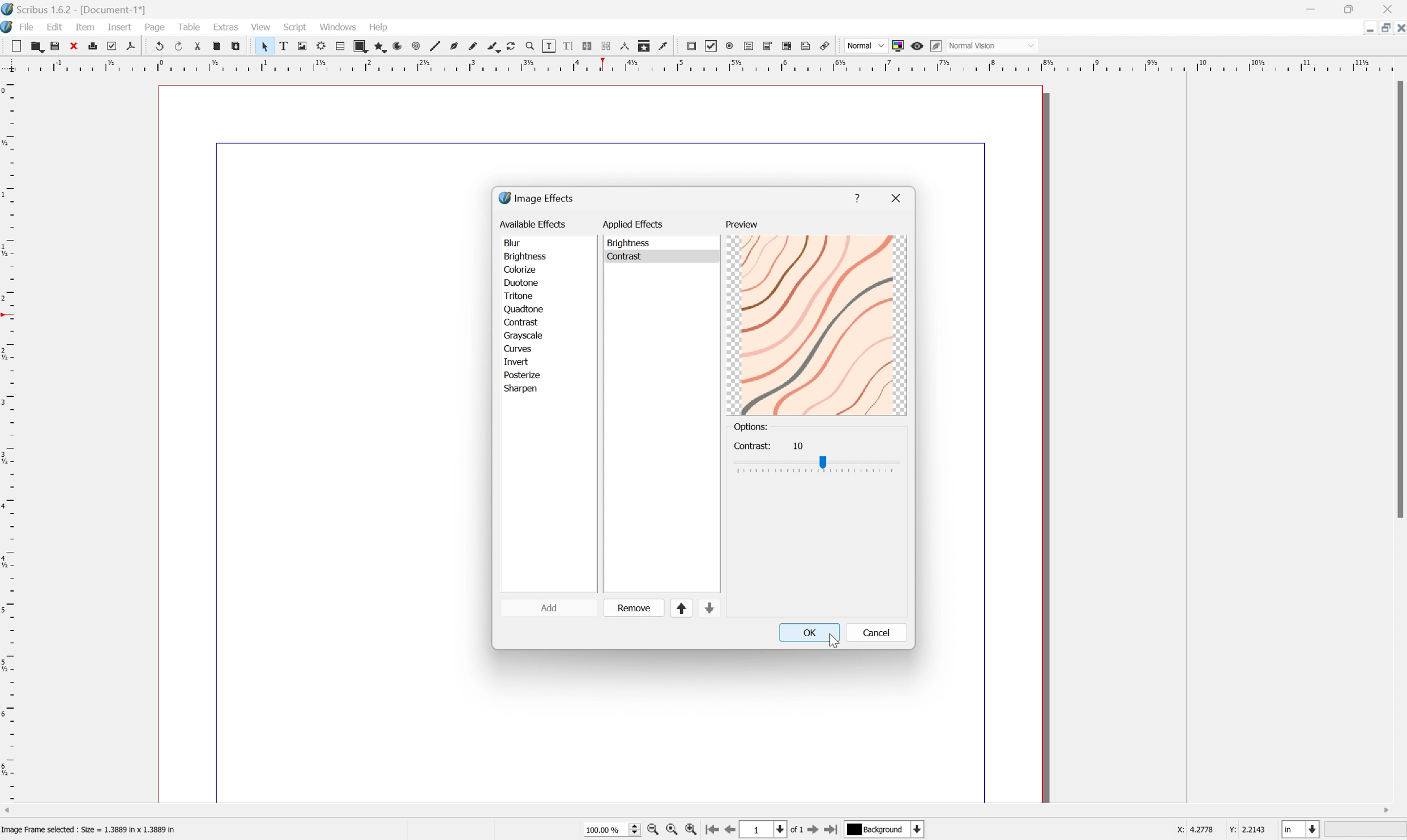  Describe the element at coordinates (551, 47) in the screenshot. I see `Edit contents of frame` at that location.